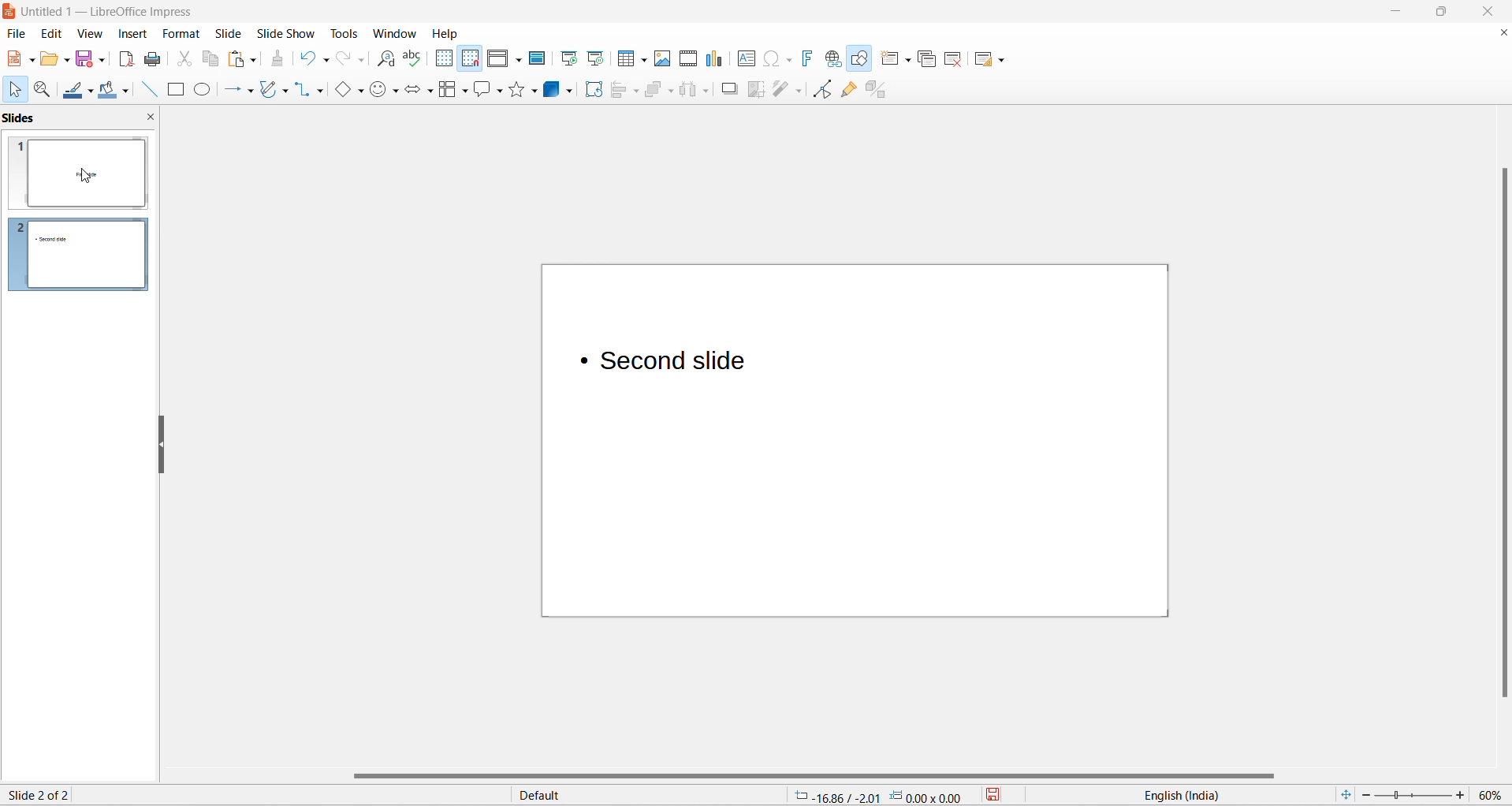 This screenshot has width=1512, height=806. What do you see at coordinates (285, 91) in the screenshot?
I see `curve and polygons options` at bounding box center [285, 91].